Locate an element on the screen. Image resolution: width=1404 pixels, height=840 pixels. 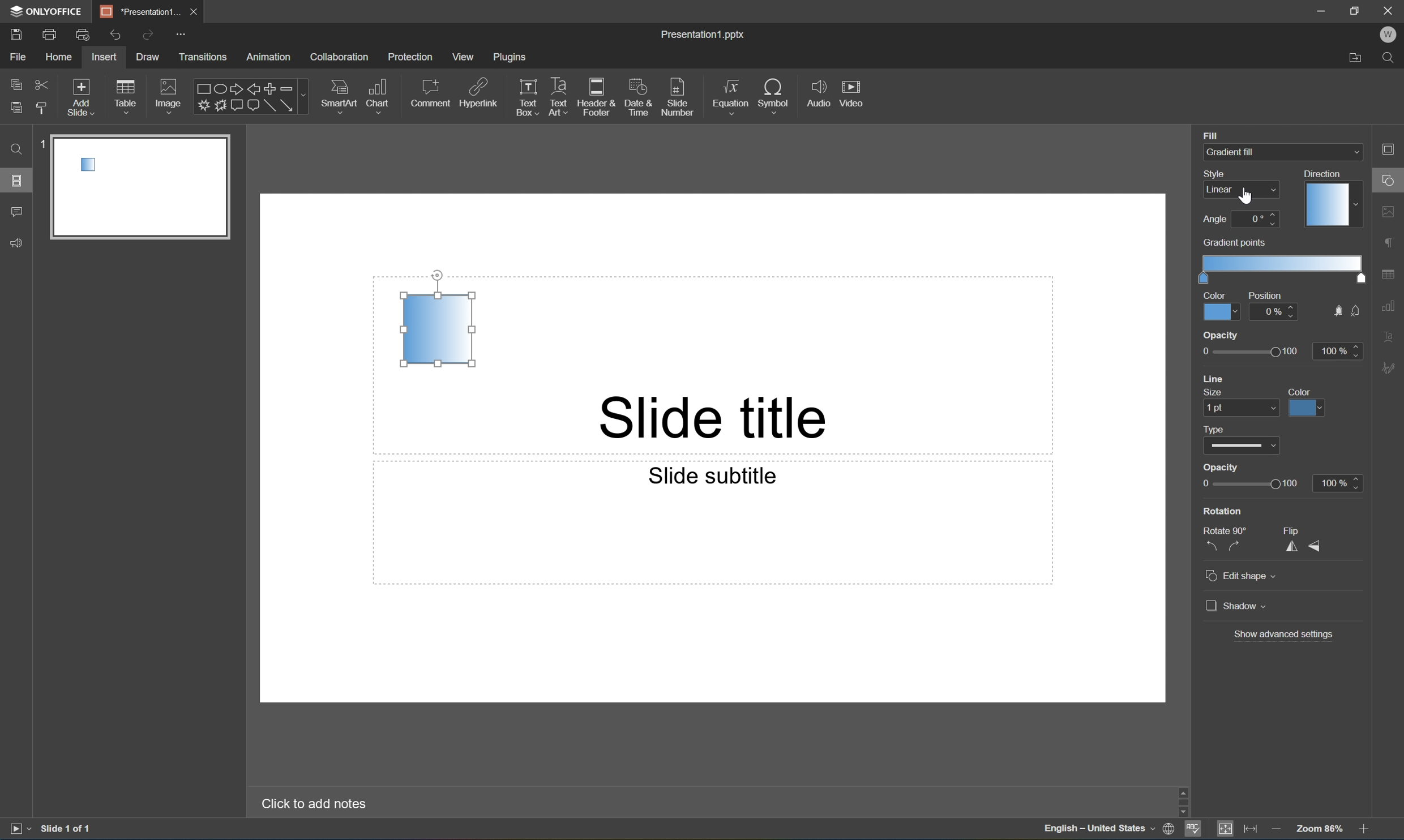
Set document language is located at coordinates (1169, 830).